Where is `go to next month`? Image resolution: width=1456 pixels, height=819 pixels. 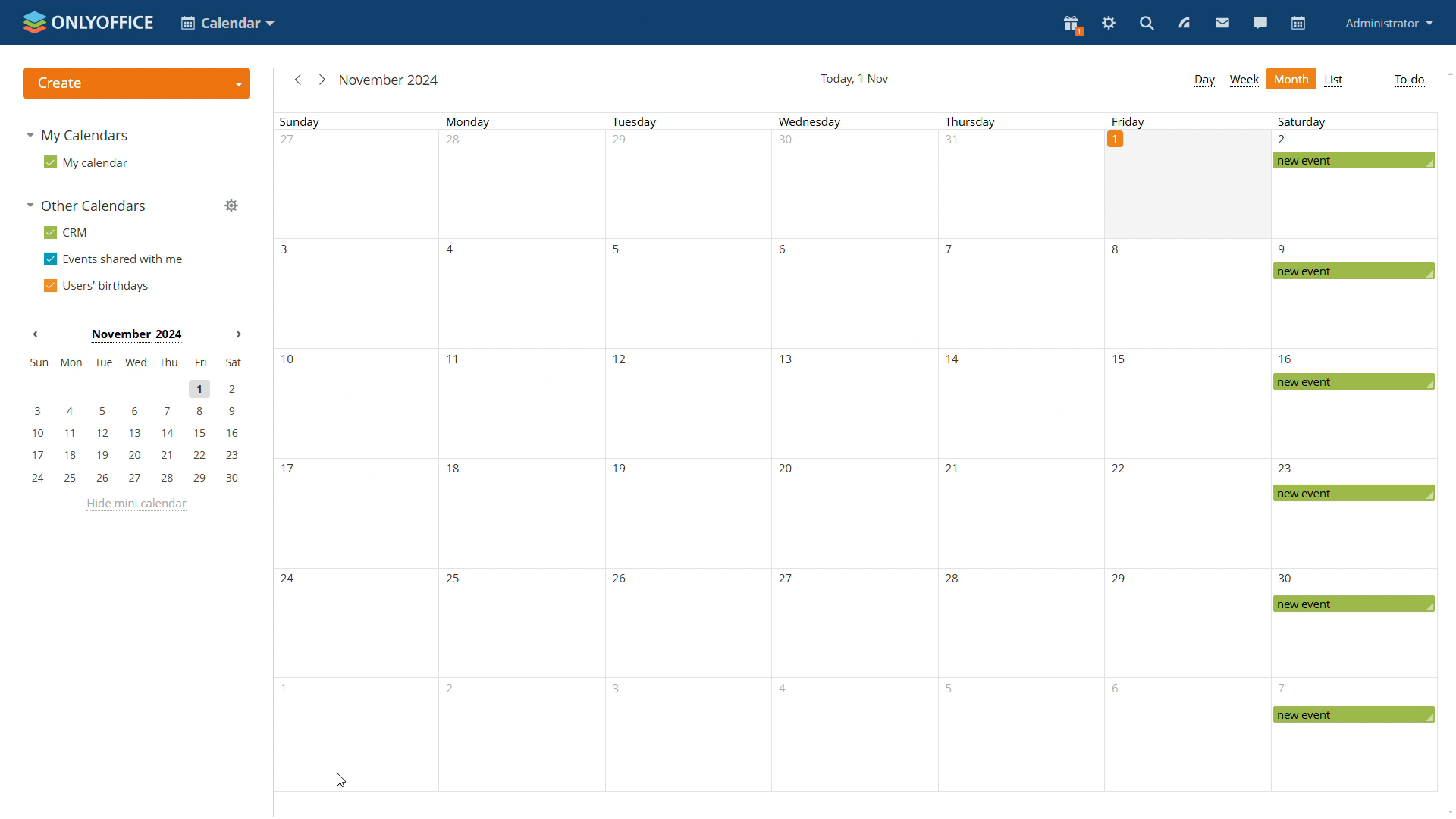
go to next month is located at coordinates (322, 80).